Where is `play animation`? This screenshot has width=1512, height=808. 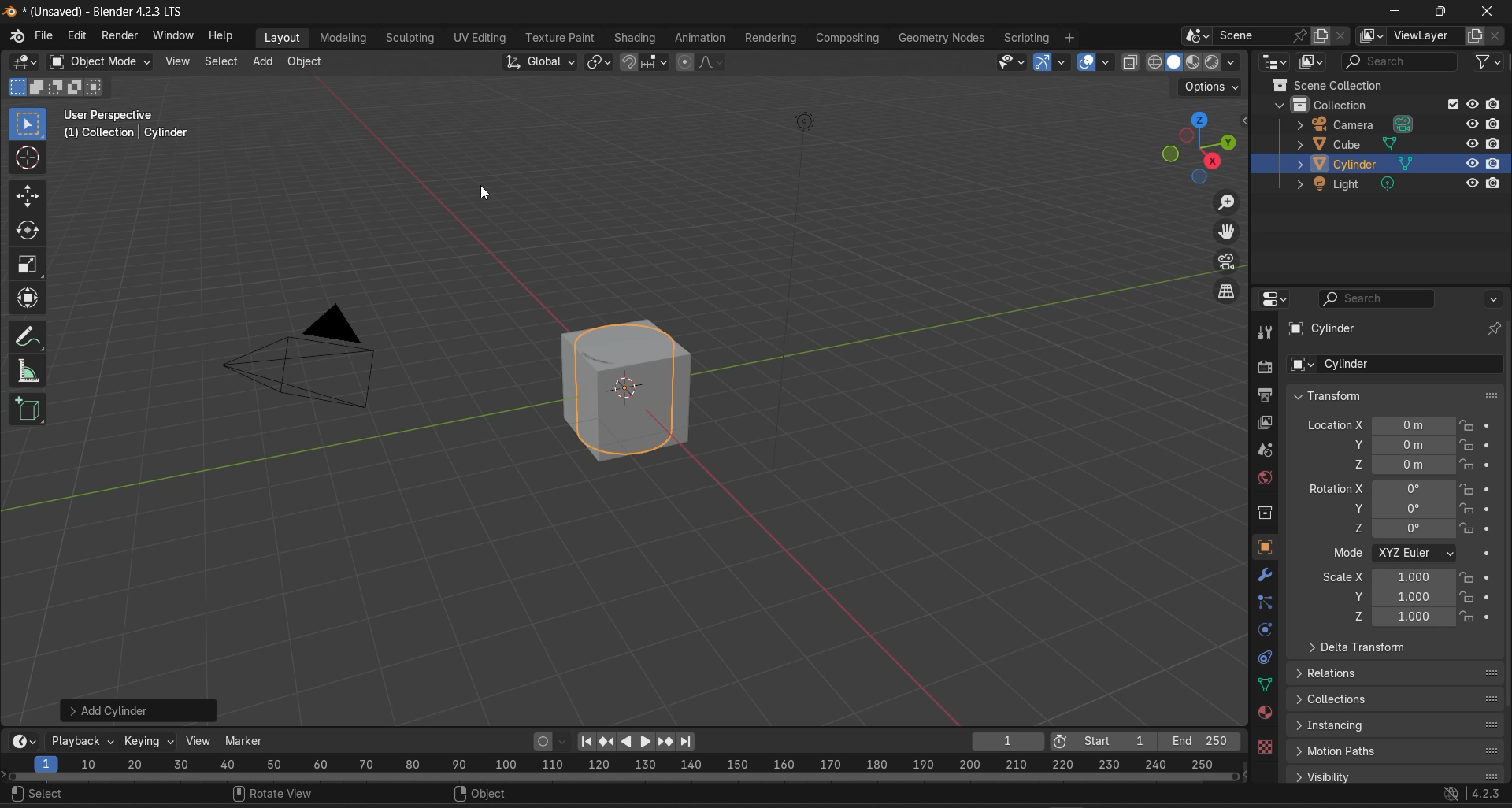
play animation is located at coordinates (635, 742).